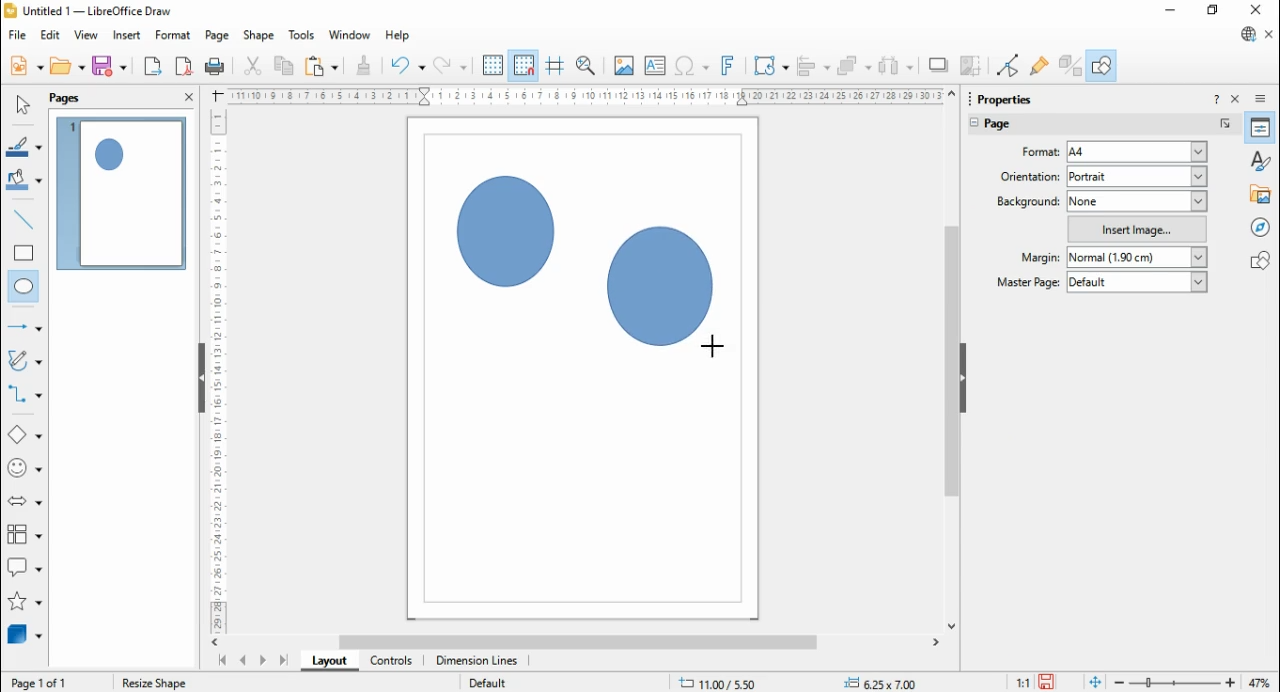 The height and width of the screenshot is (692, 1280). What do you see at coordinates (1172, 10) in the screenshot?
I see `minimize` at bounding box center [1172, 10].